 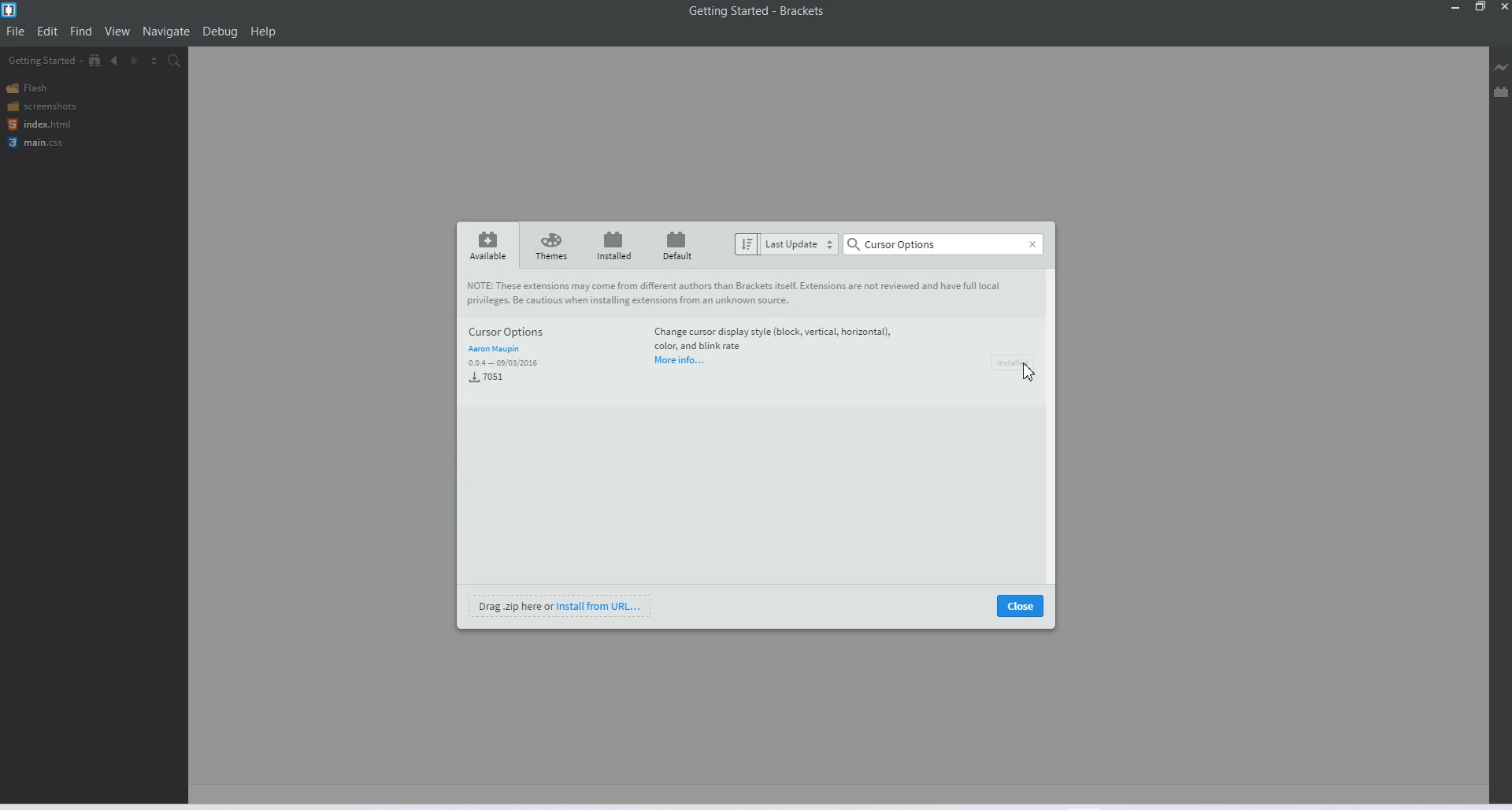 What do you see at coordinates (1016, 362) in the screenshot?
I see `installed` at bounding box center [1016, 362].